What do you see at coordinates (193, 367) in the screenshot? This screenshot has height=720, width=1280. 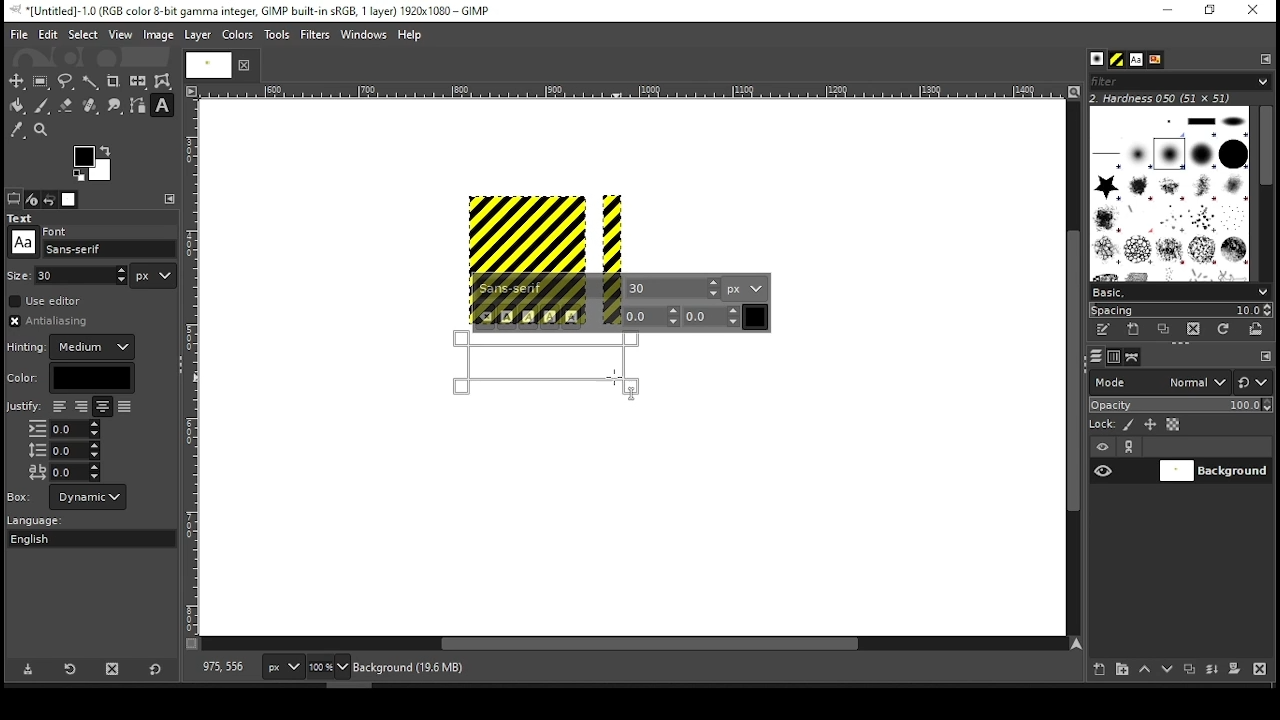 I see `` at bounding box center [193, 367].